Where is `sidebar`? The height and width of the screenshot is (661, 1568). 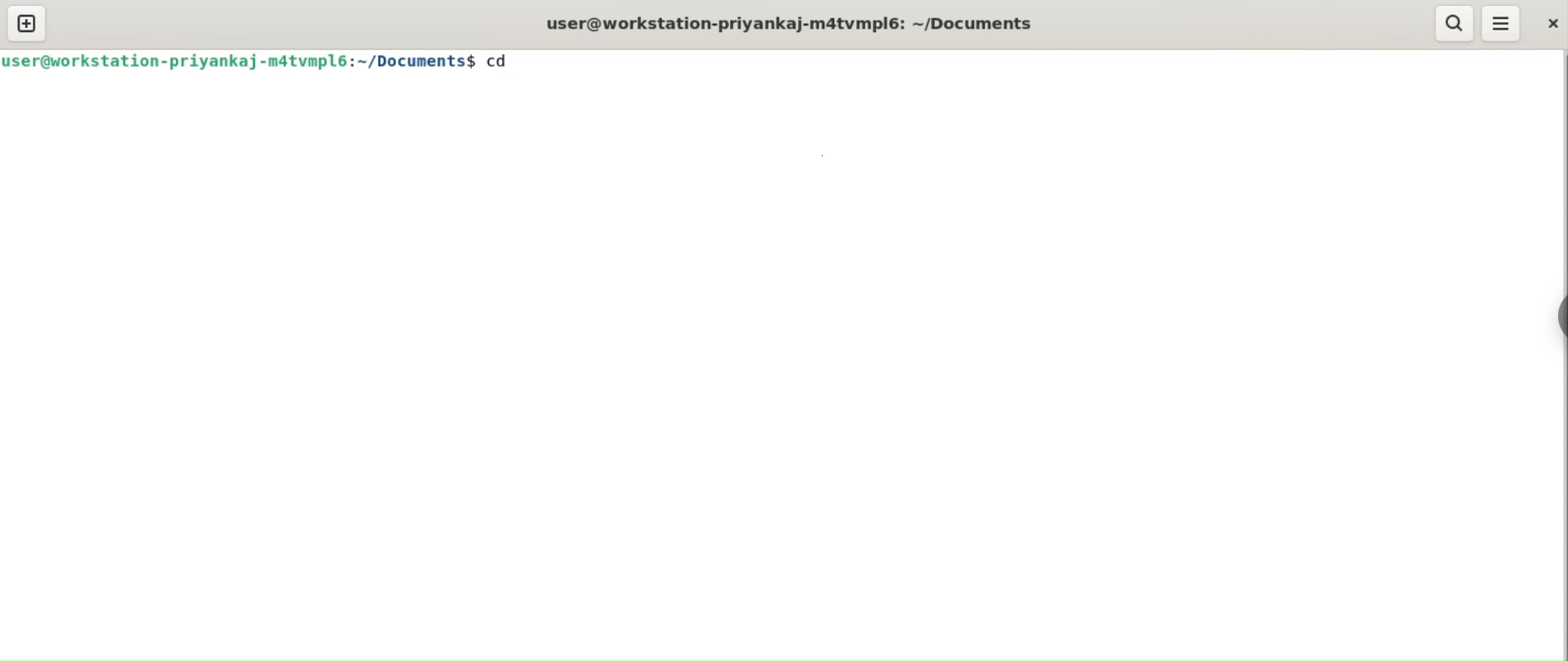 sidebar is located at coordinates (1561, 317).